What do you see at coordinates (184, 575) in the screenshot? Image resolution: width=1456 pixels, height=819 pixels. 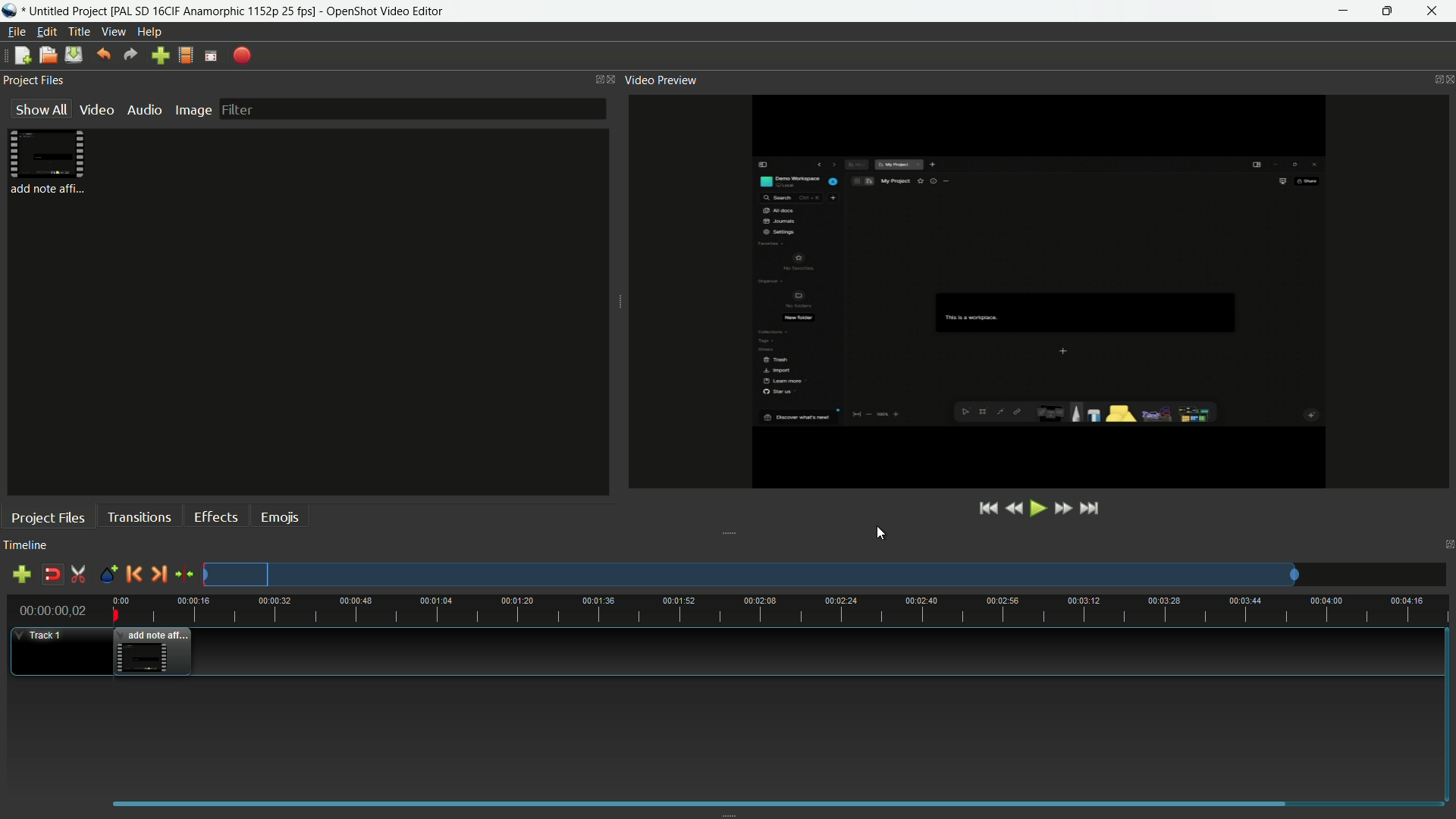 I see `center the timeline on the playhead` at bounding box center [184, 575].